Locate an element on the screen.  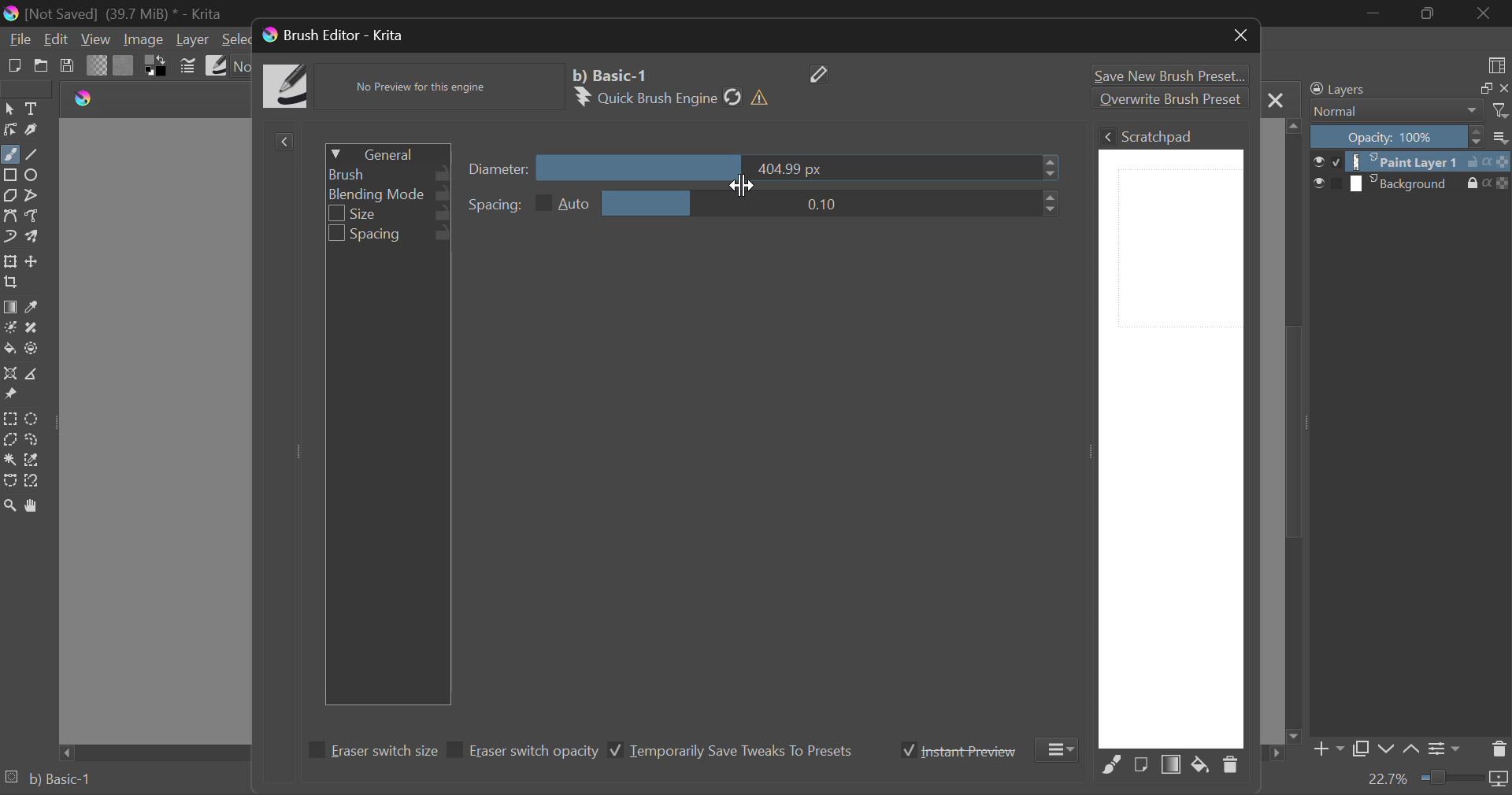
Zoom is located at coordinates (9, 505).